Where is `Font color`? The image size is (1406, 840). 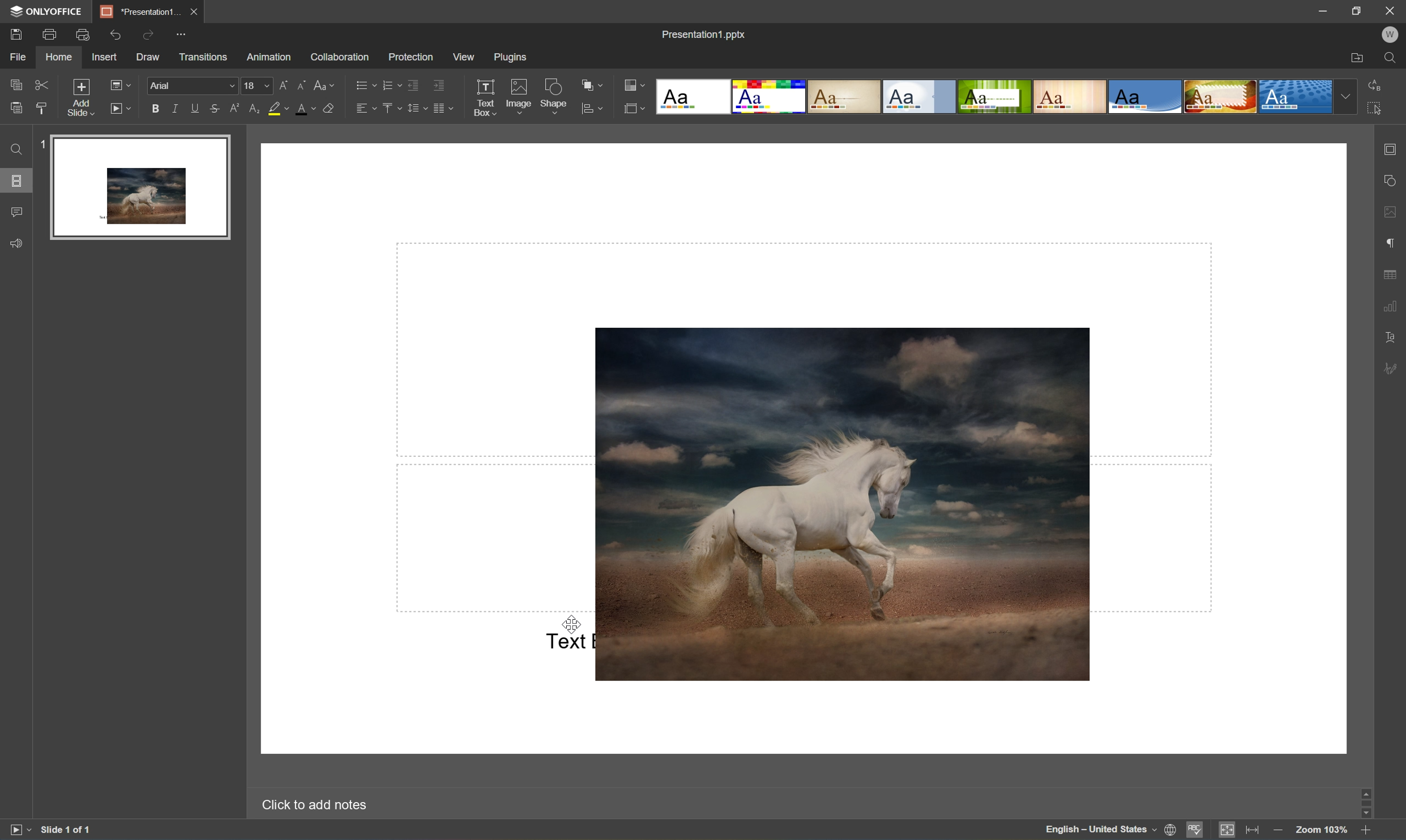 Font color is located at coordinates (305, 109).